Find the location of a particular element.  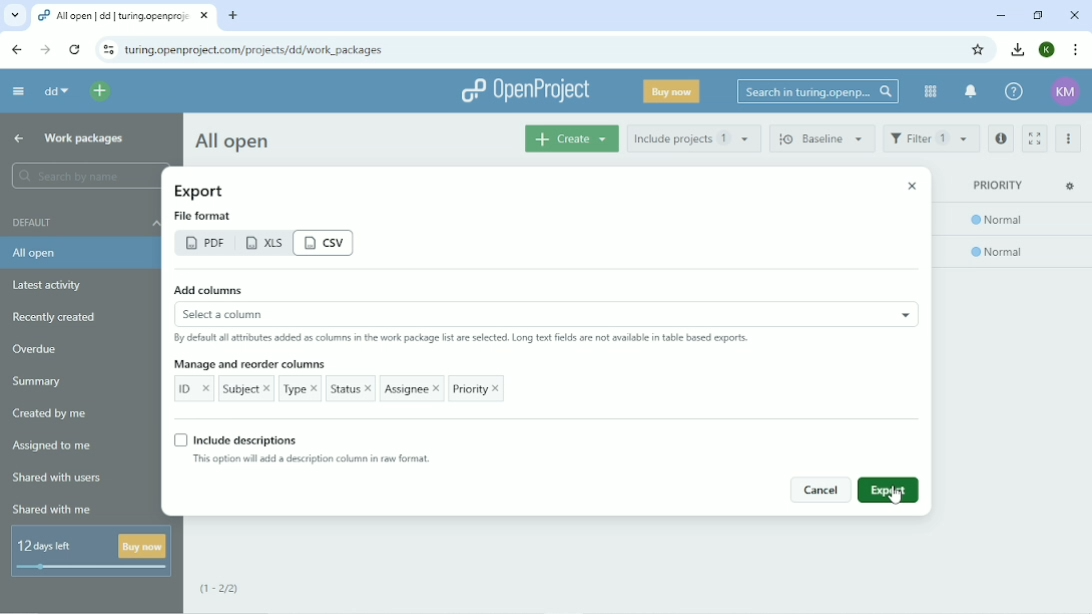

To notification center is located at coordinates (970, 92).